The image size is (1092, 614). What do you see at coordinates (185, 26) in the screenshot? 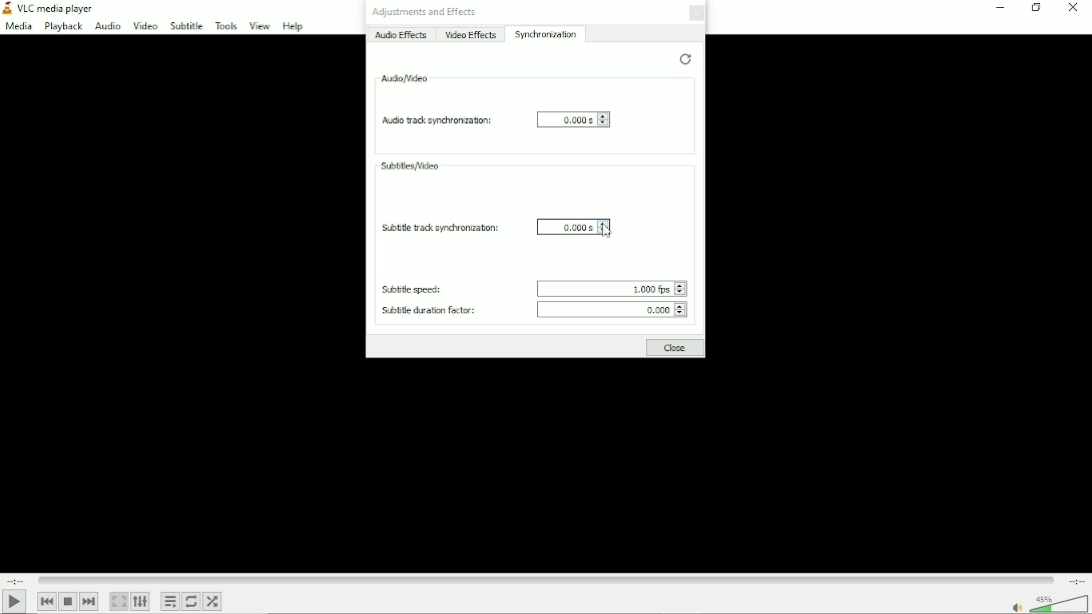
I see `Subtitle` at bounding box center [185, 26].